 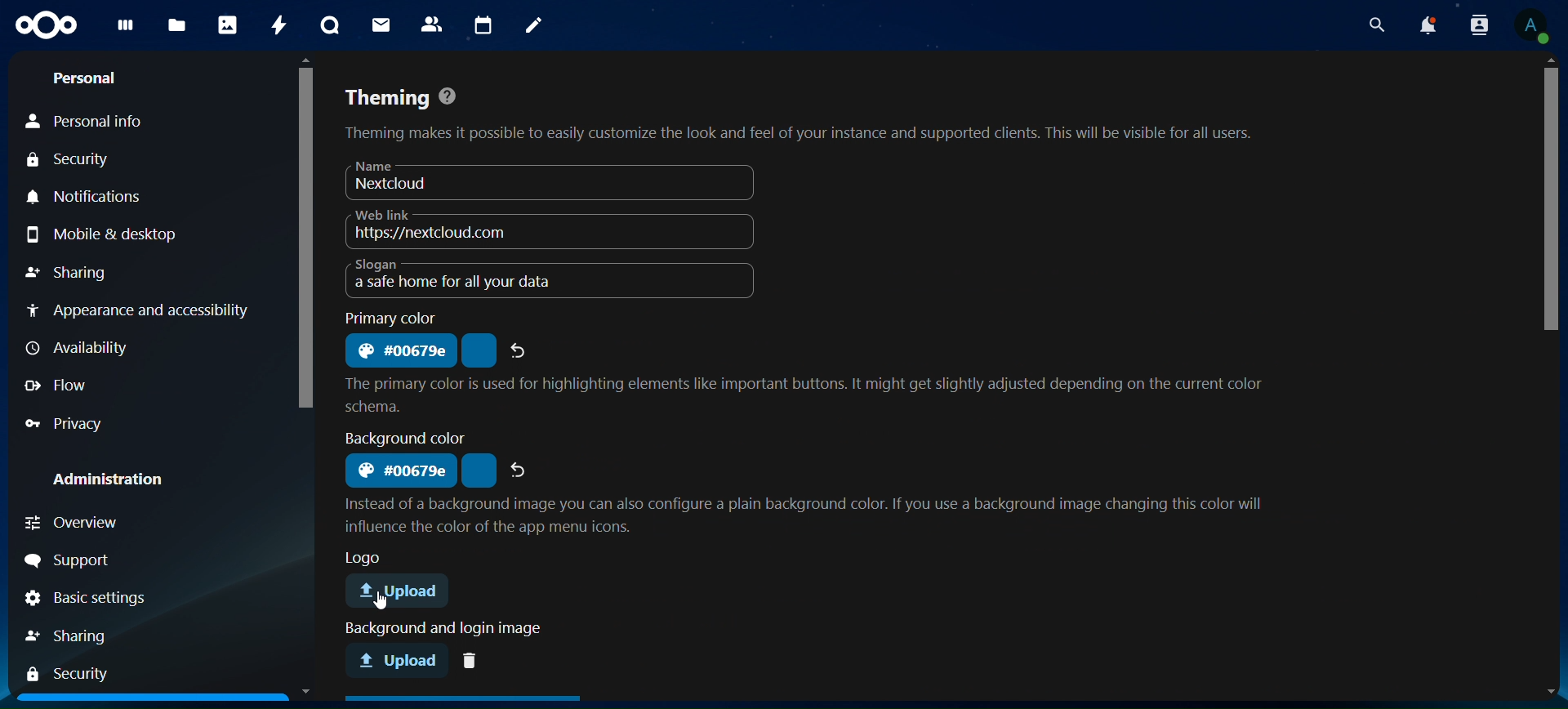 What do you see at coordinates (1548, 203) in the screenshot?
I see `scroll bar` at bounding box center [1548, 203].